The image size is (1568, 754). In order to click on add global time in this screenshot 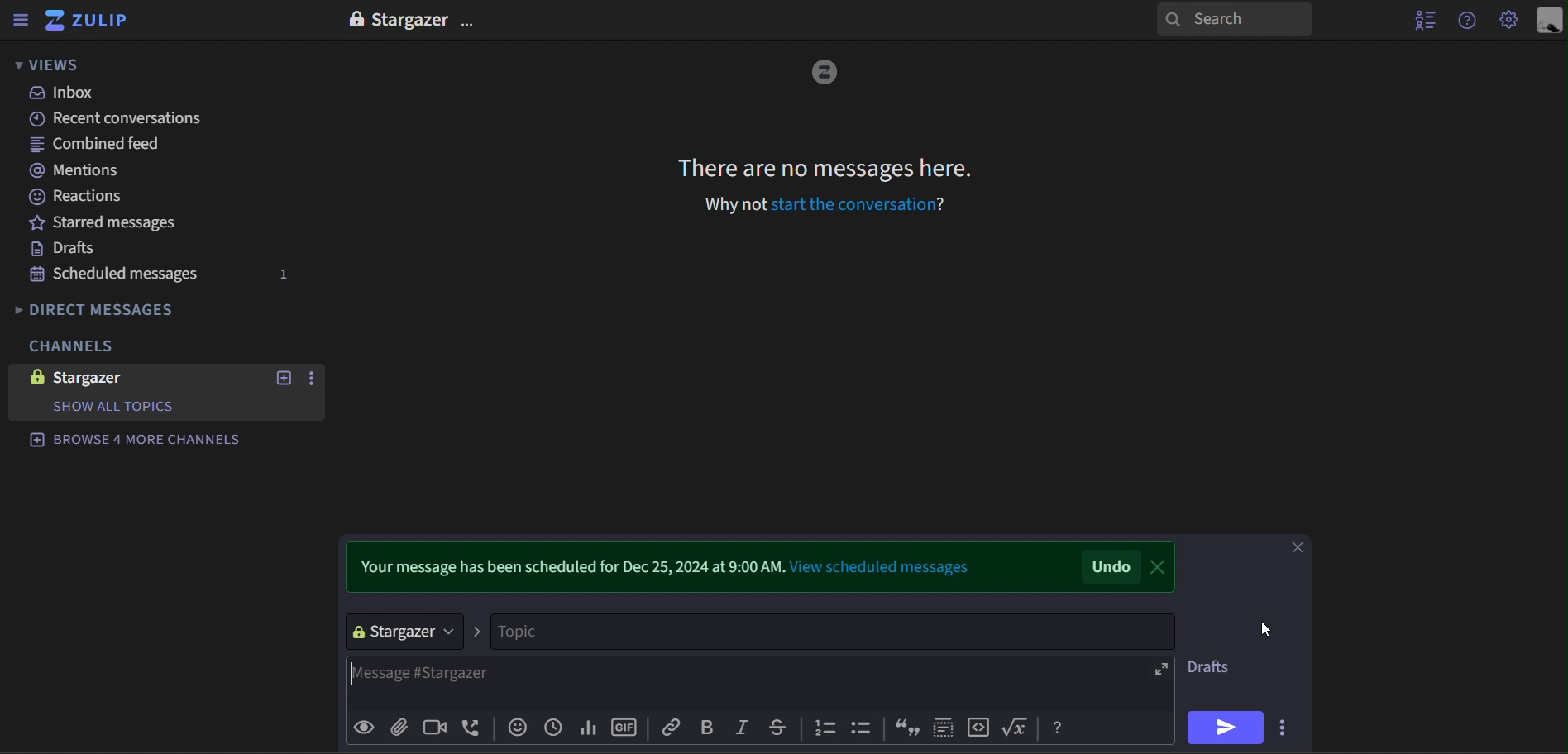, I will do `click(556, 728)`.